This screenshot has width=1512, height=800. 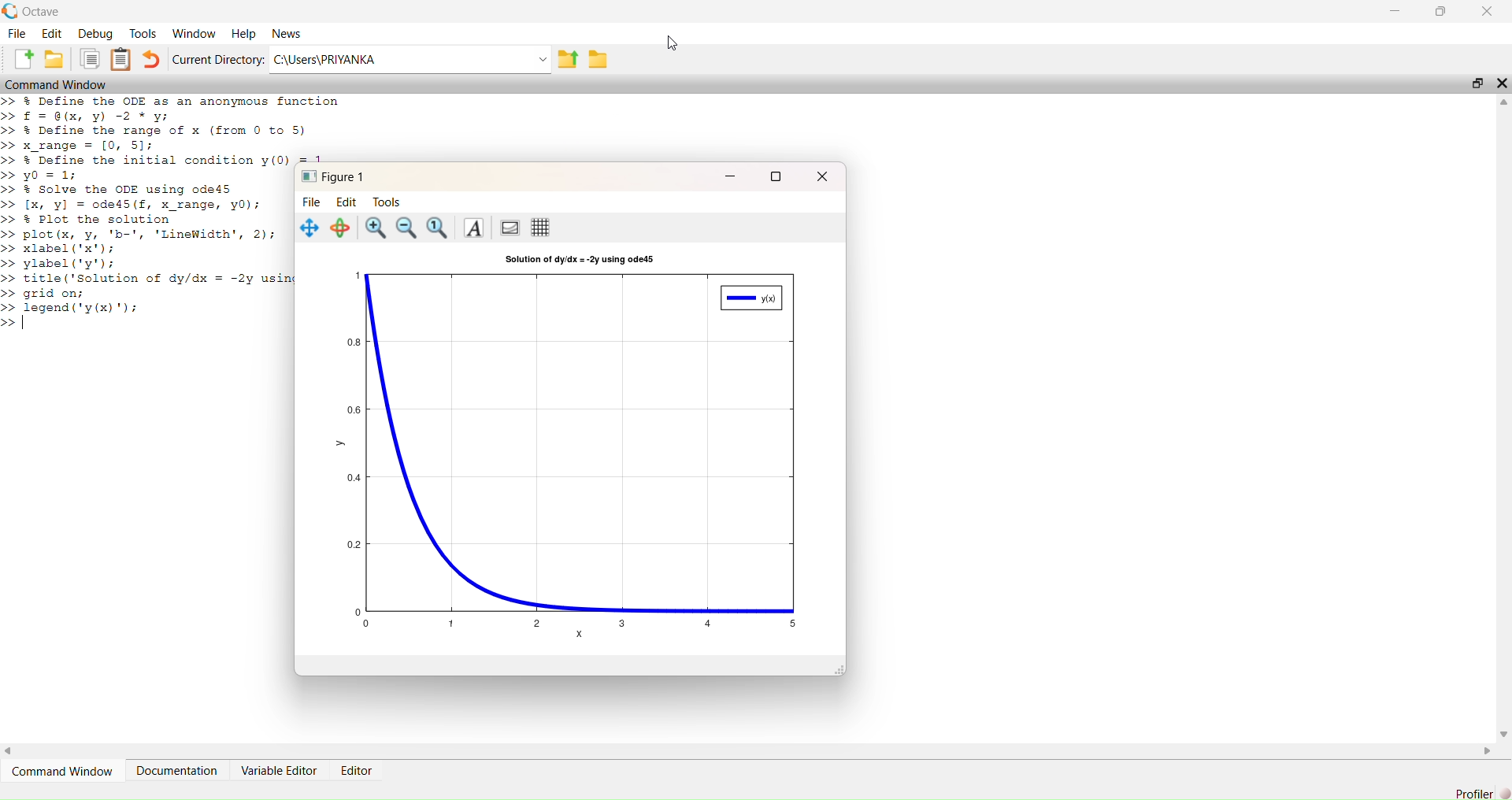 I want to click on Variable Editor, so click(x=278, y=771).